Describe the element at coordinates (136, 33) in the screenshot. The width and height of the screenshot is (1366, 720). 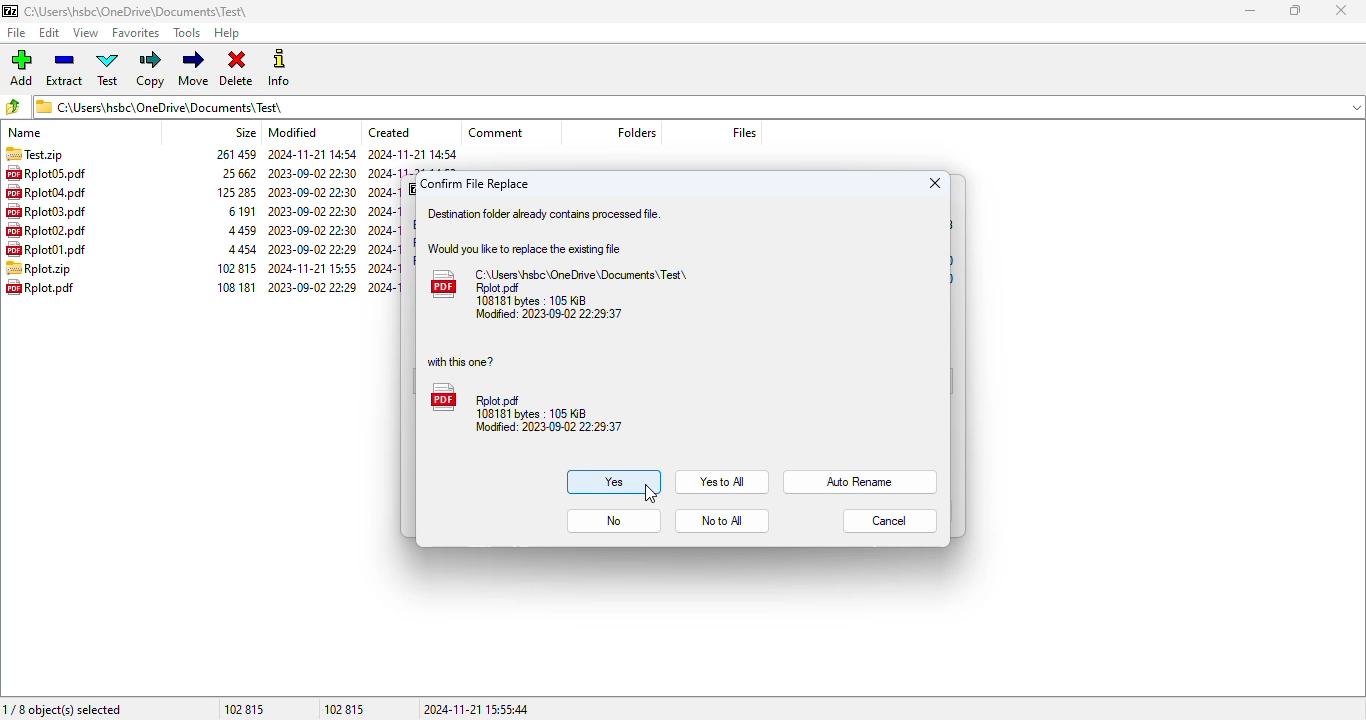
I see `favorites` at that location.